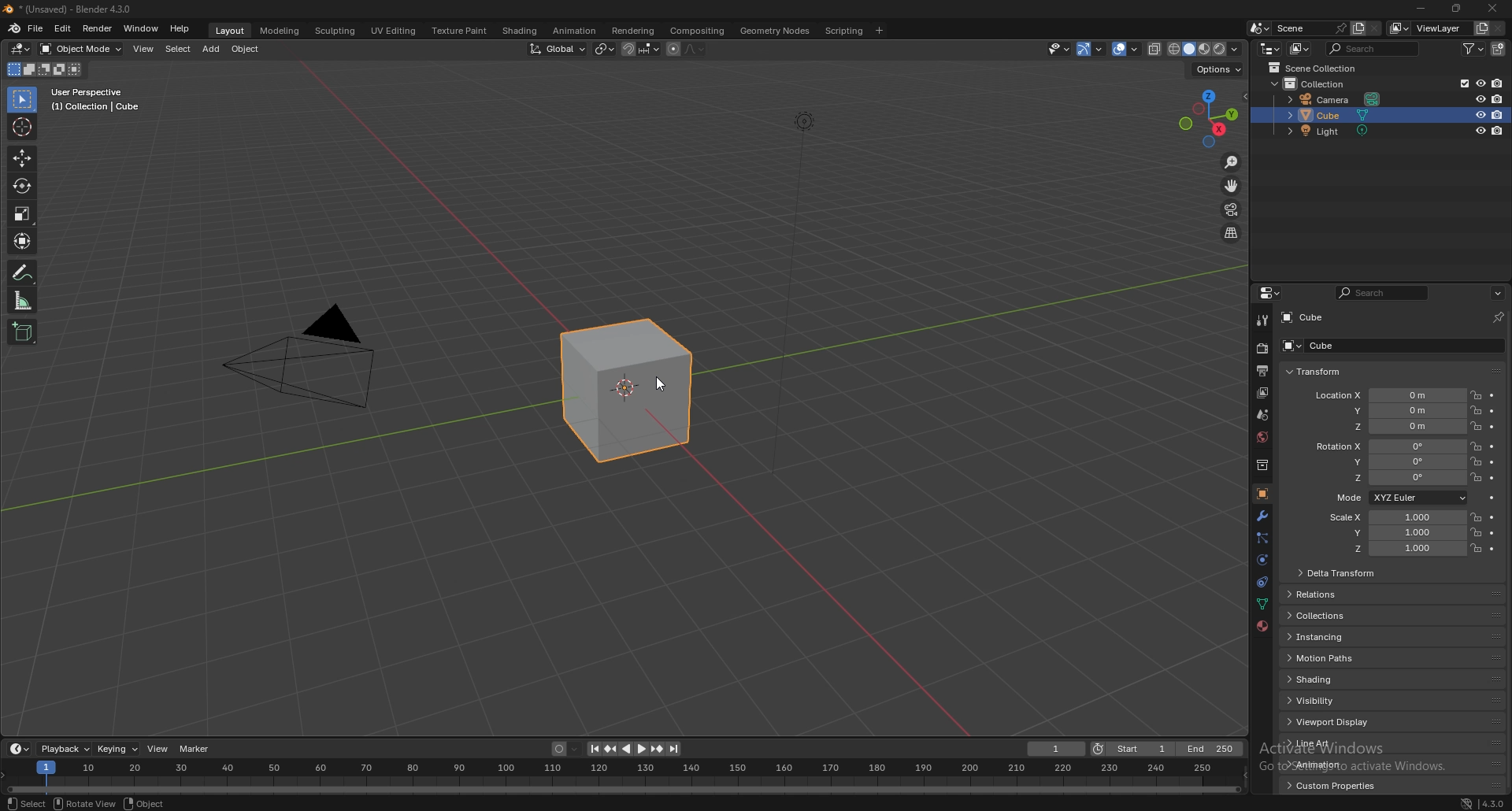 The image size is (1512, 811). Describe the element at coordinates (1476, 477) in the screenshot. I see `lock location` at that location.